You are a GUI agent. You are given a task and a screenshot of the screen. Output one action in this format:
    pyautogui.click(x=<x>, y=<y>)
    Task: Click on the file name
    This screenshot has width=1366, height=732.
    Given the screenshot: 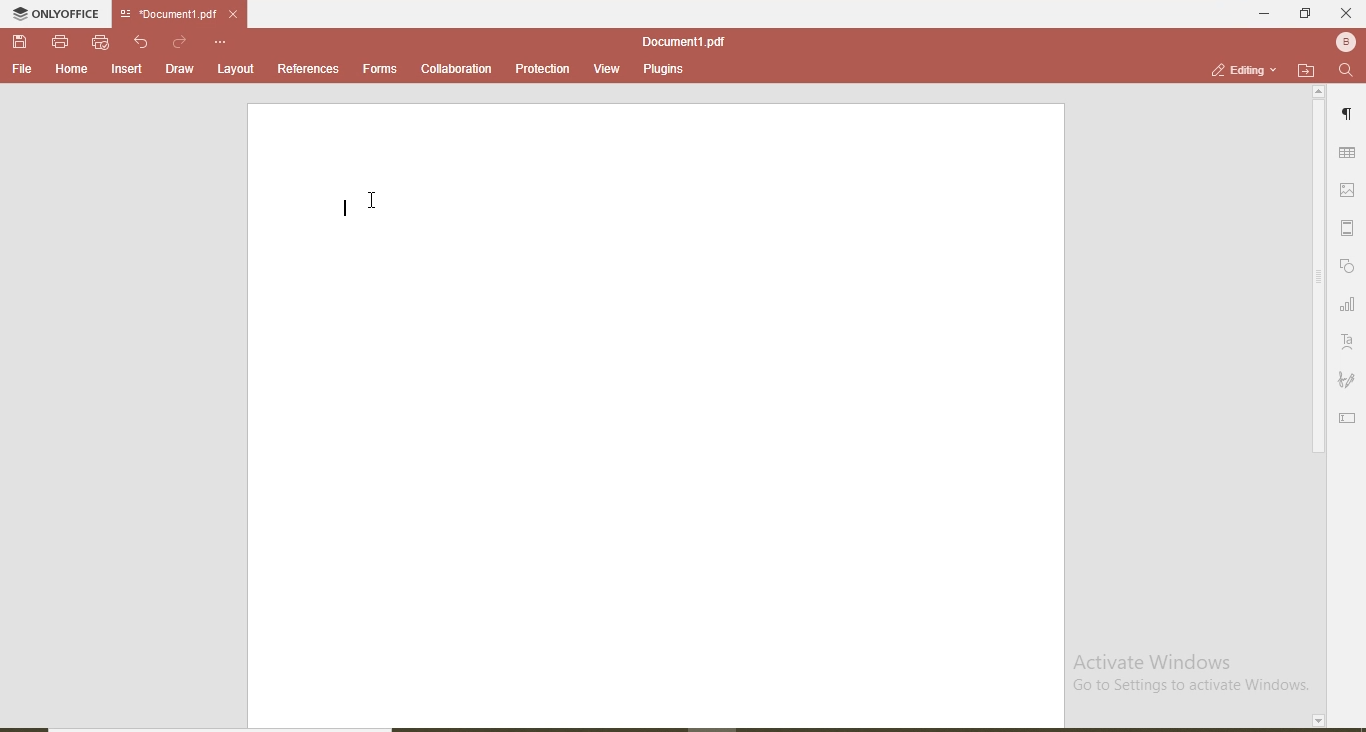 What is the action you would take?
    pyautogui.click(x=164, y=15)
    